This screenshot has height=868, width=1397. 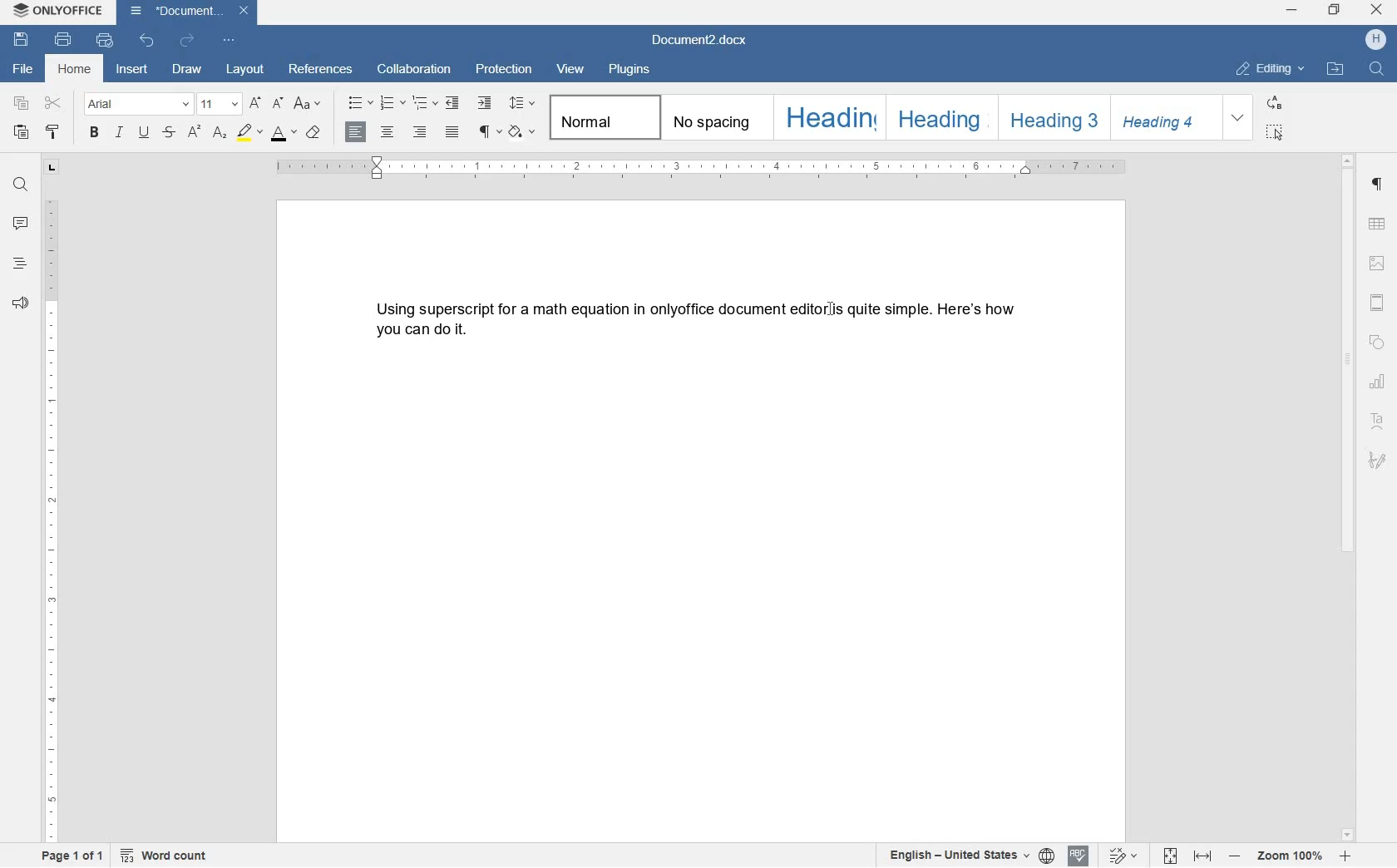 I want to click on font color, so click(x=284, y=134).